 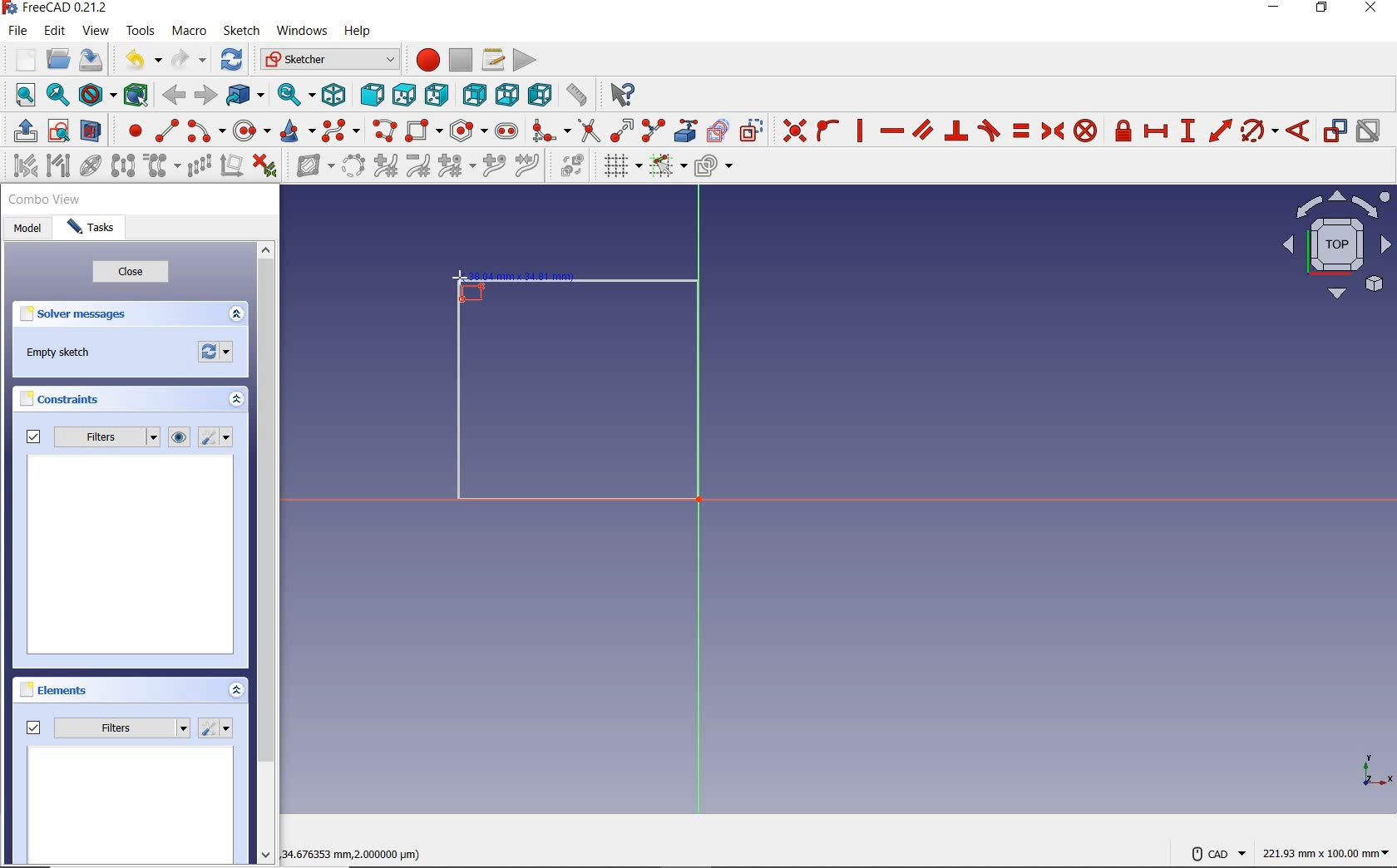 I want to click on trim edge, so click(x=588, y=131).